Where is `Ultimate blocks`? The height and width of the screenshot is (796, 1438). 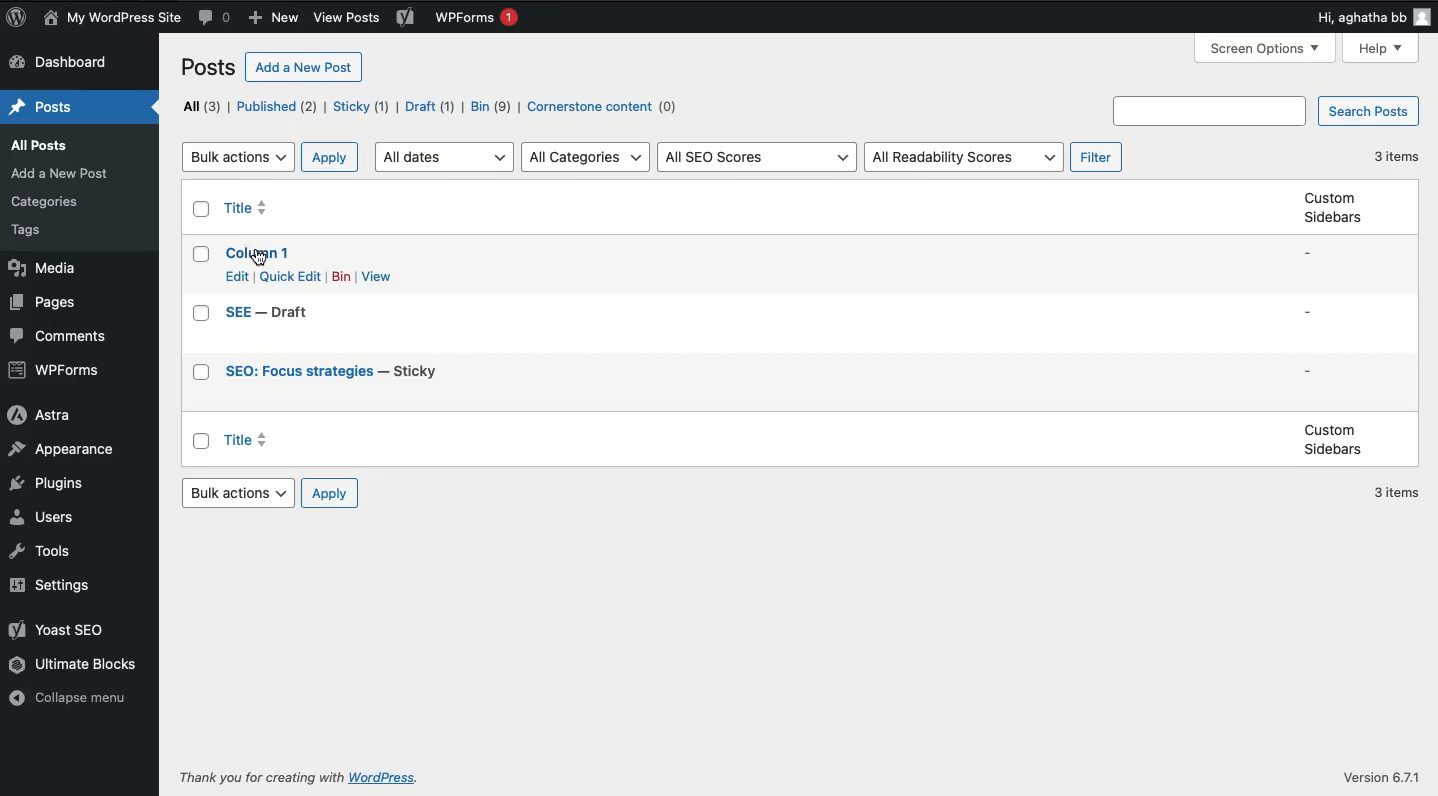 Ultimate blocks is located at coordinates (75, 665).